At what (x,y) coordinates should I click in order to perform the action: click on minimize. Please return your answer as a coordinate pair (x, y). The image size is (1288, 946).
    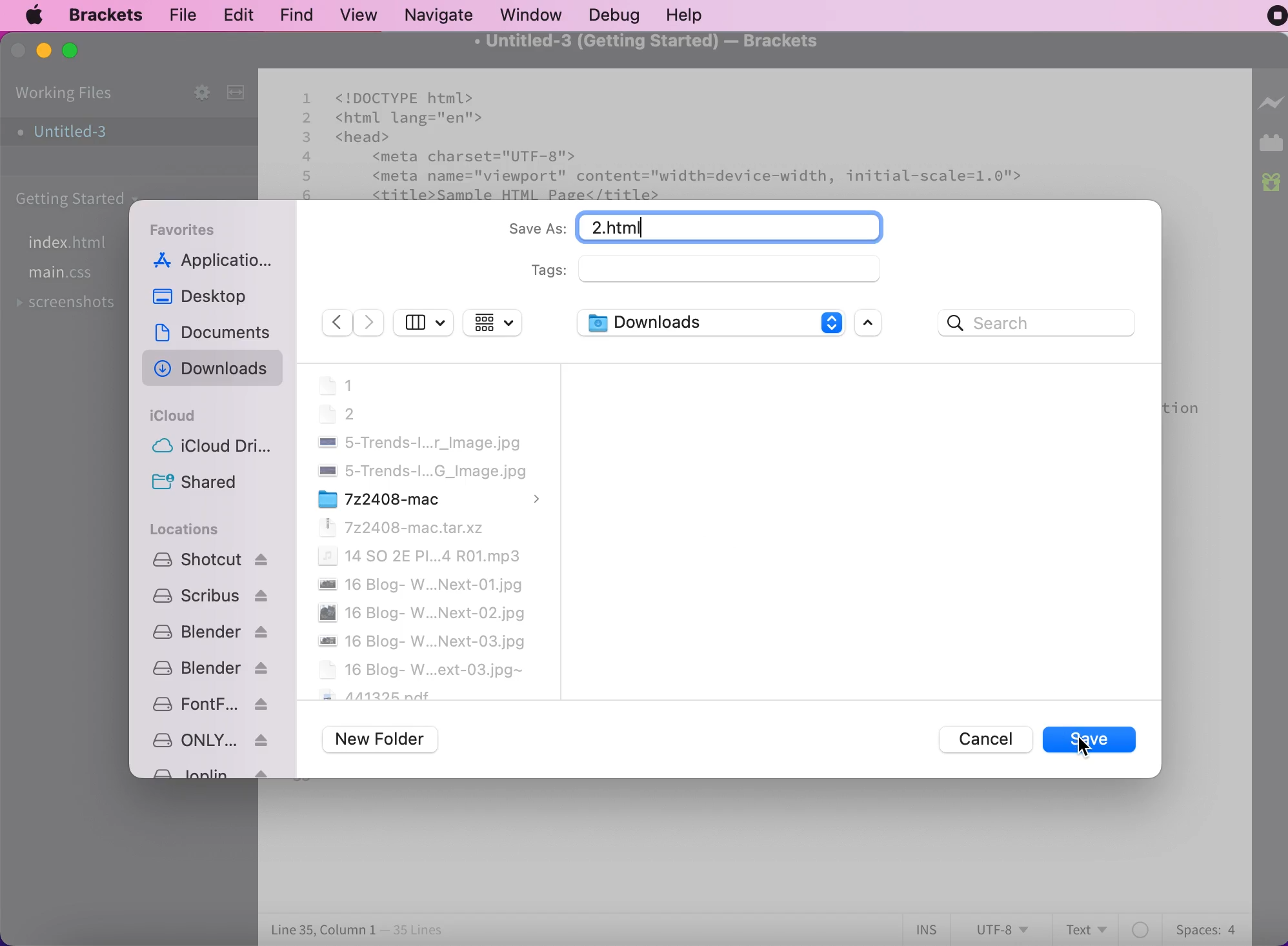
    Looking at the image, I should click on (45, 51).